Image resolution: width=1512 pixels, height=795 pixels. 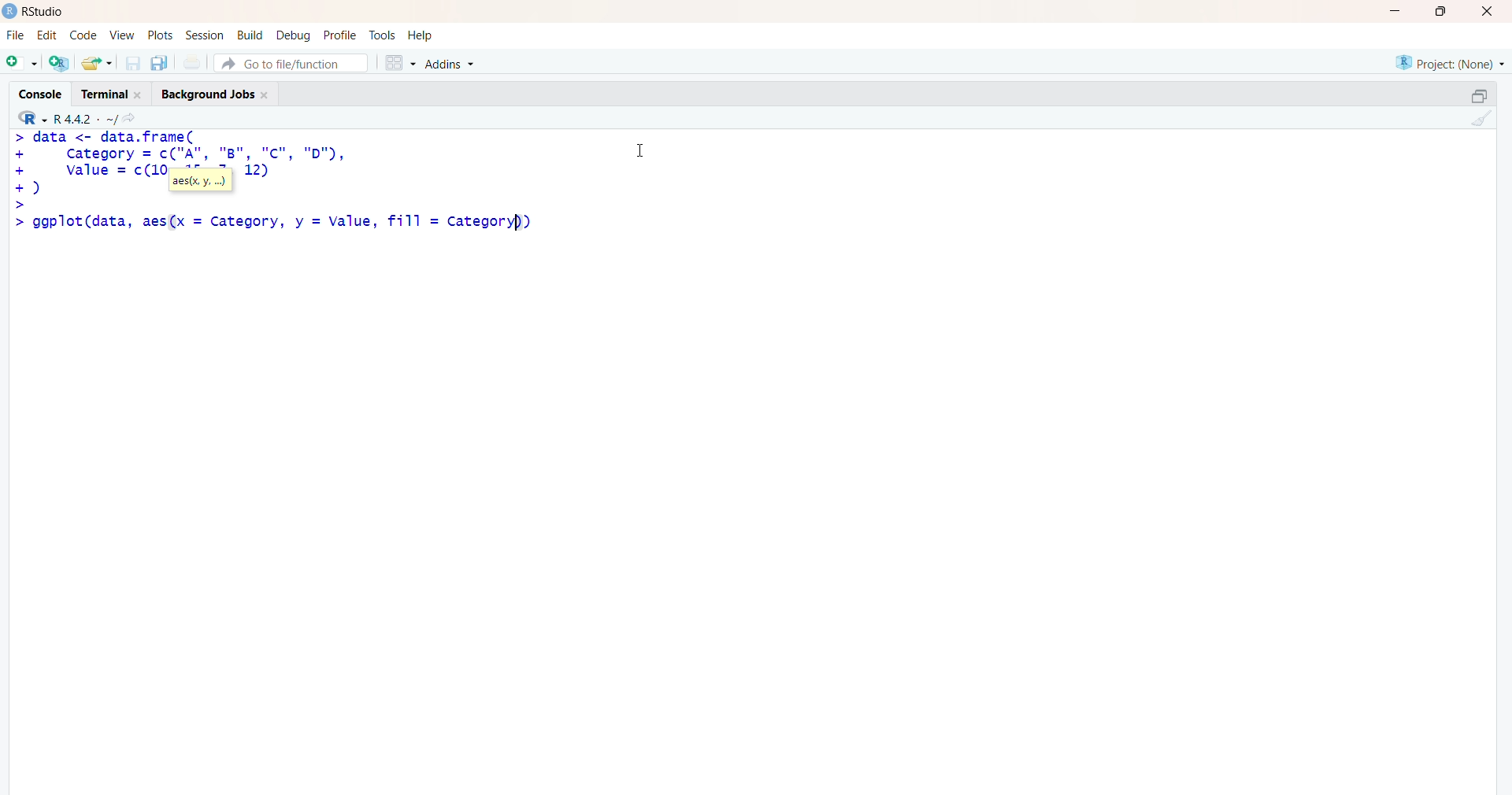 I want to click on help, so click(x=423, y=35).